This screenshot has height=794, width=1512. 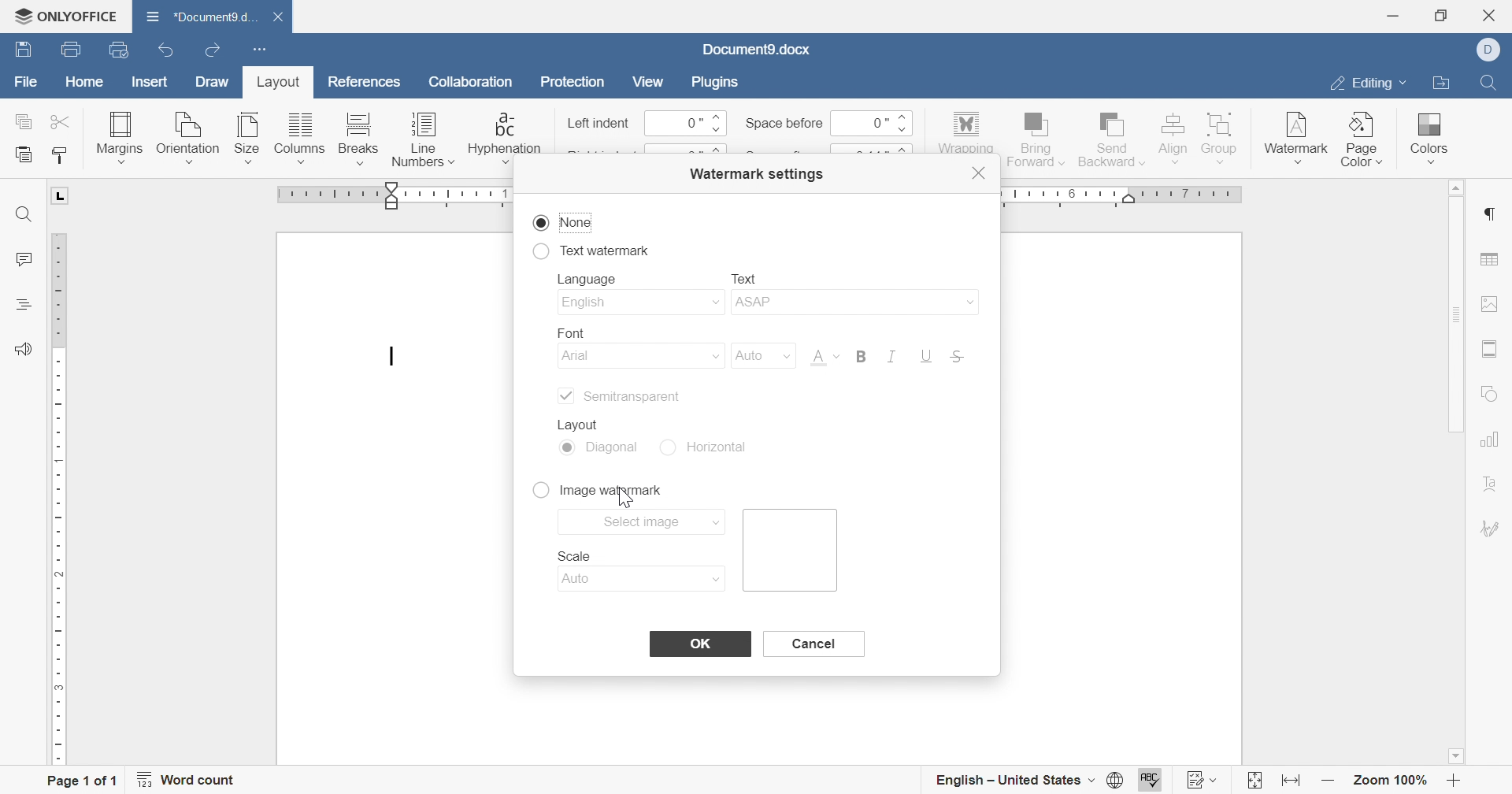 What do you see at coordinates (473, 86) in the screenshot?
I see `collaboration` at bounding box center [473, 86].